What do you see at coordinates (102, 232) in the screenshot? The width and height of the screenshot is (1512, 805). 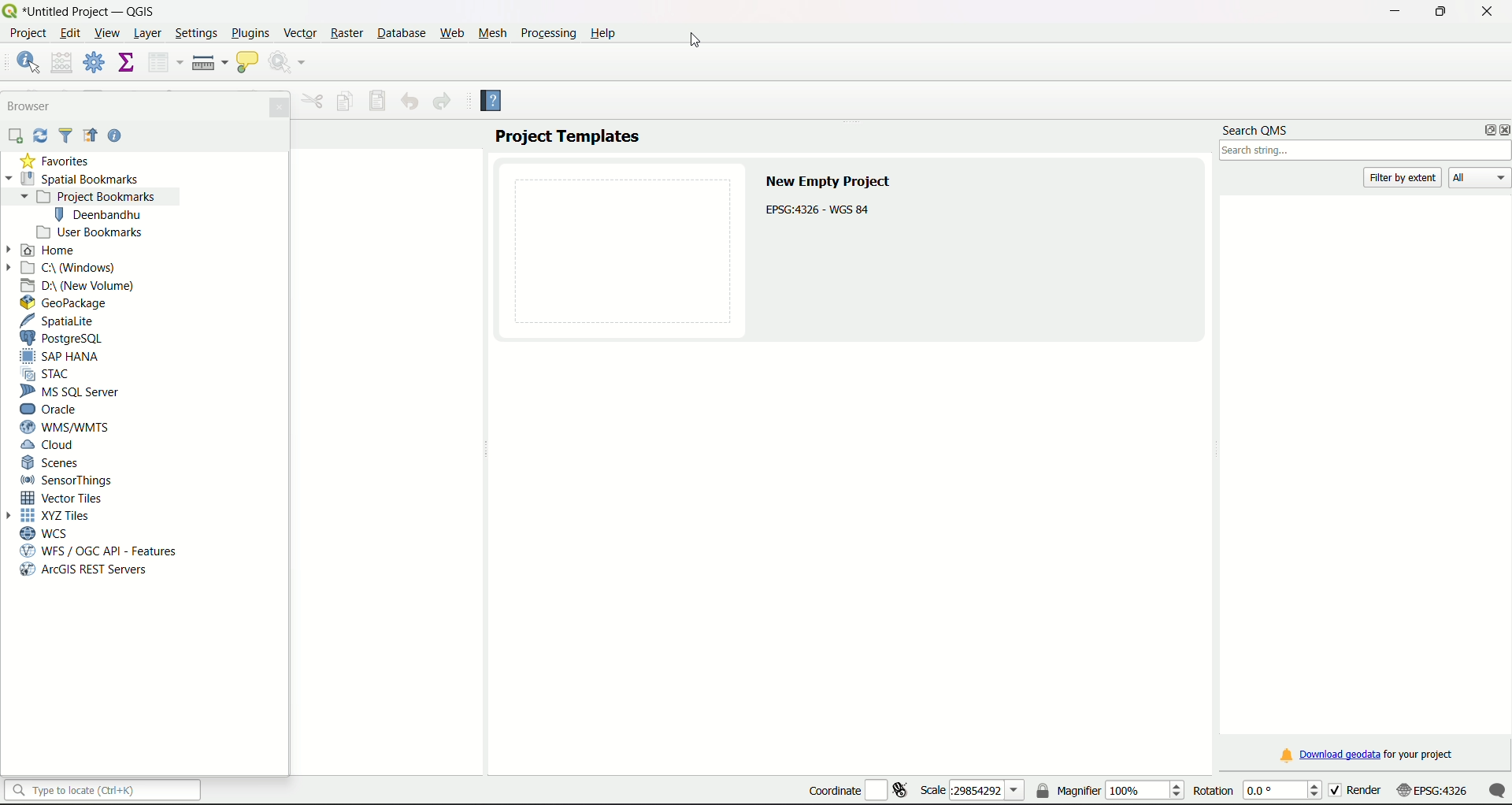 I see `User bookmarks` at bounding box center [102, 232].